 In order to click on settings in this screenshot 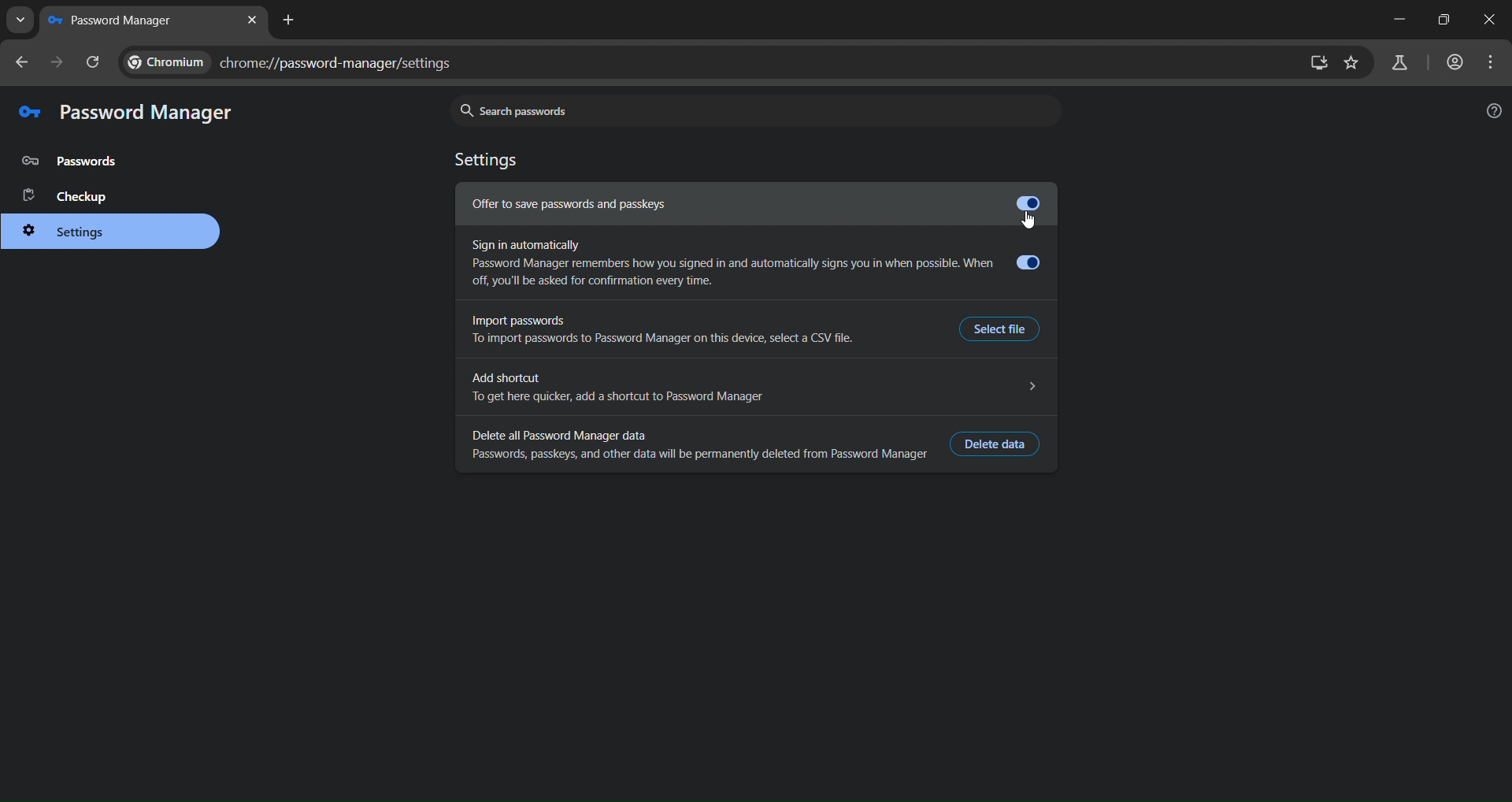, I will do `click(491, 158)`.